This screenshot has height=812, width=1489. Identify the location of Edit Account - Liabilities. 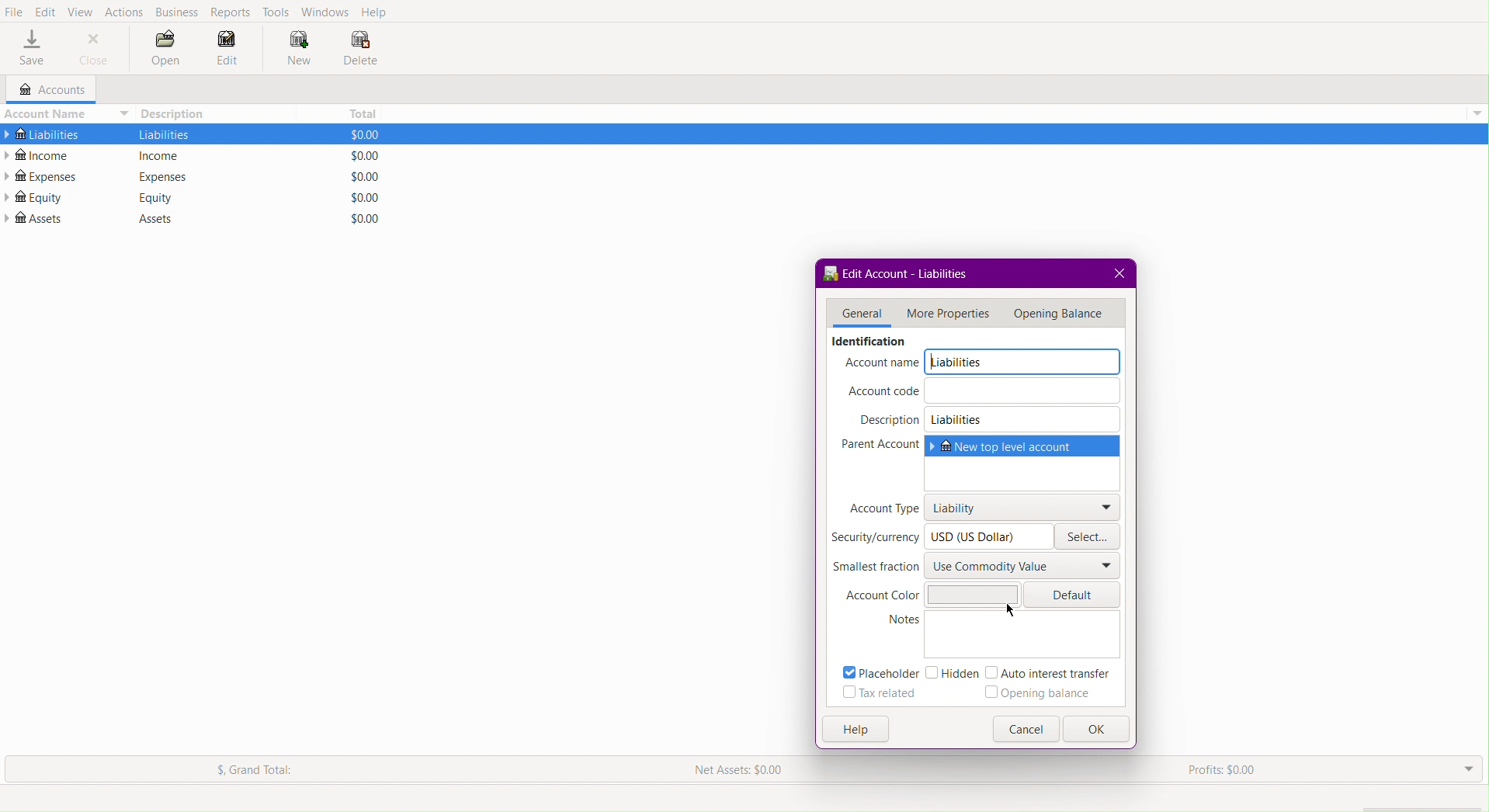
(894, 276).